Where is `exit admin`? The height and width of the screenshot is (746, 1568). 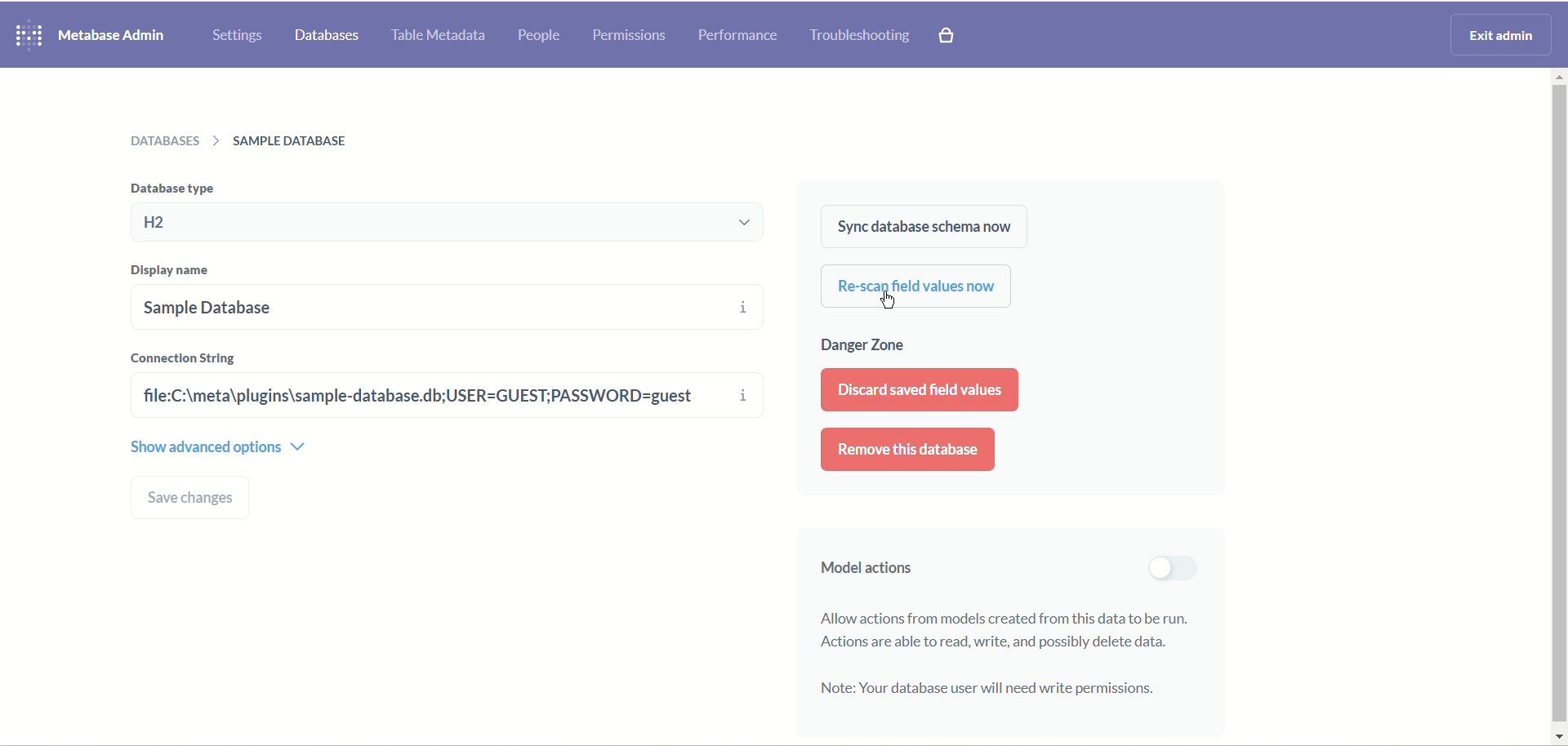 exit admin is located at coordinates (1498, 33).